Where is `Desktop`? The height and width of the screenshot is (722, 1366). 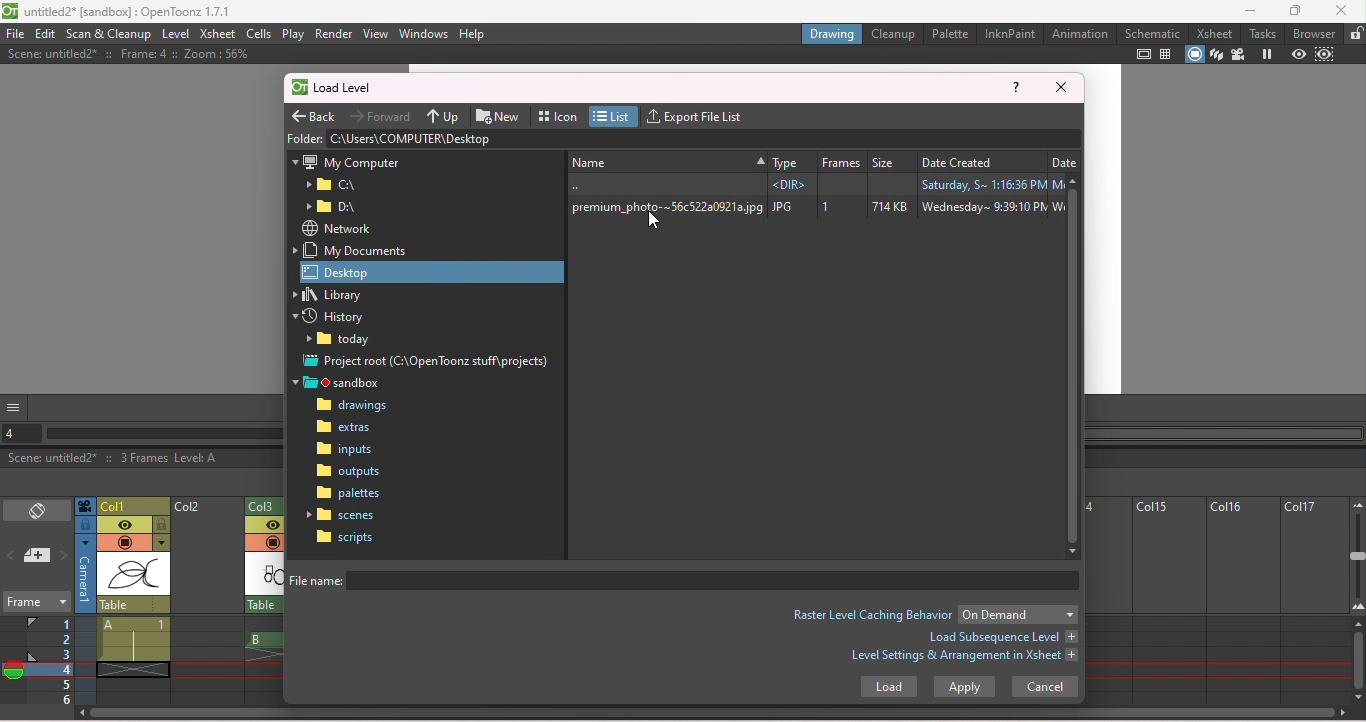
Desktop is located at coordinates (434, 271).